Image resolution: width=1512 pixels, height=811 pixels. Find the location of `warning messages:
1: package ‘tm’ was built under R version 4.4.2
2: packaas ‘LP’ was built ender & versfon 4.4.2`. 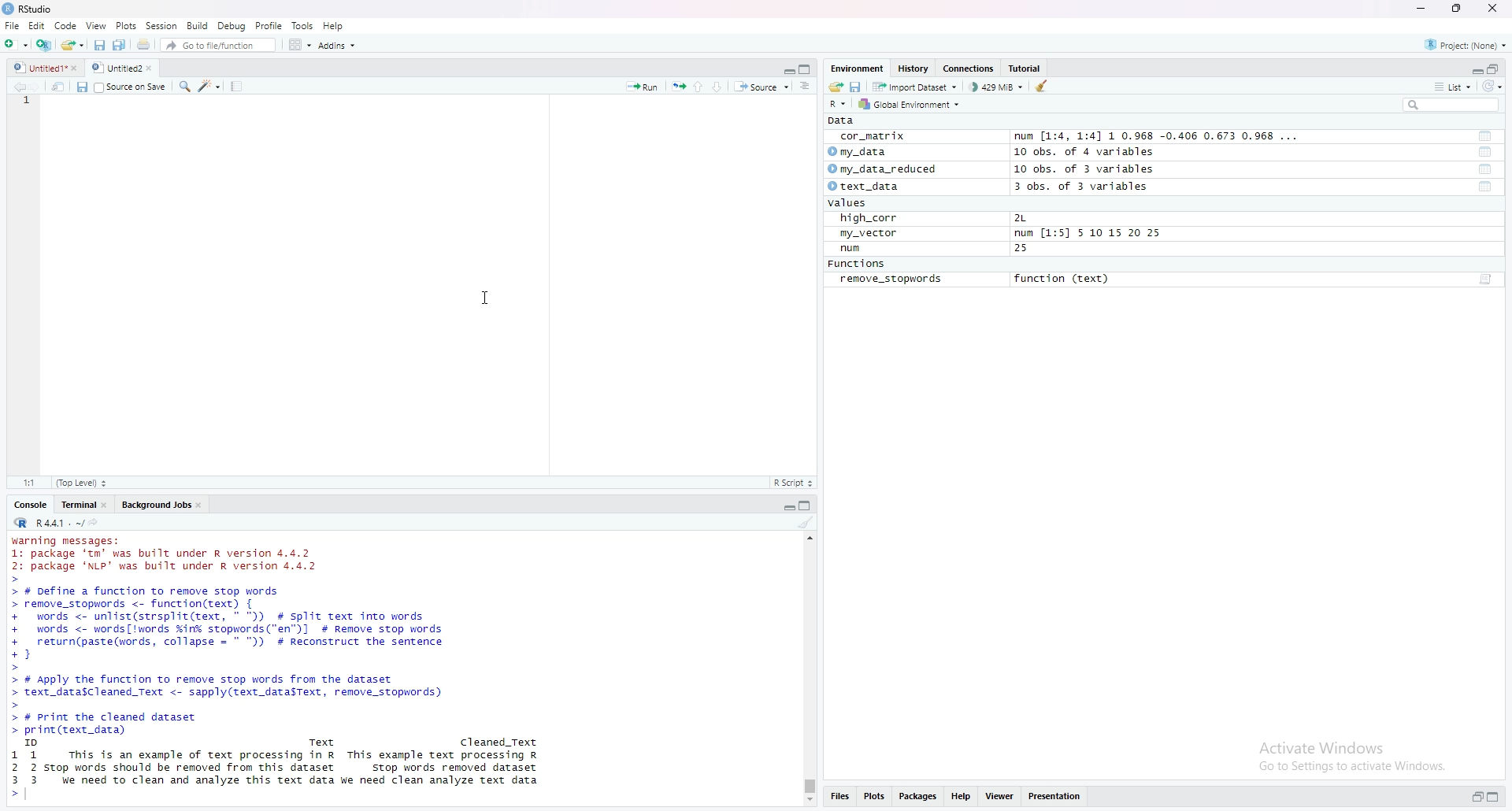

warning messages:
1: package ‘tm’ was built under R version 4.4.2
2: packaas ‘LP’ was built ender & versfon 4.4.2 is located at coordinates (170, 551).